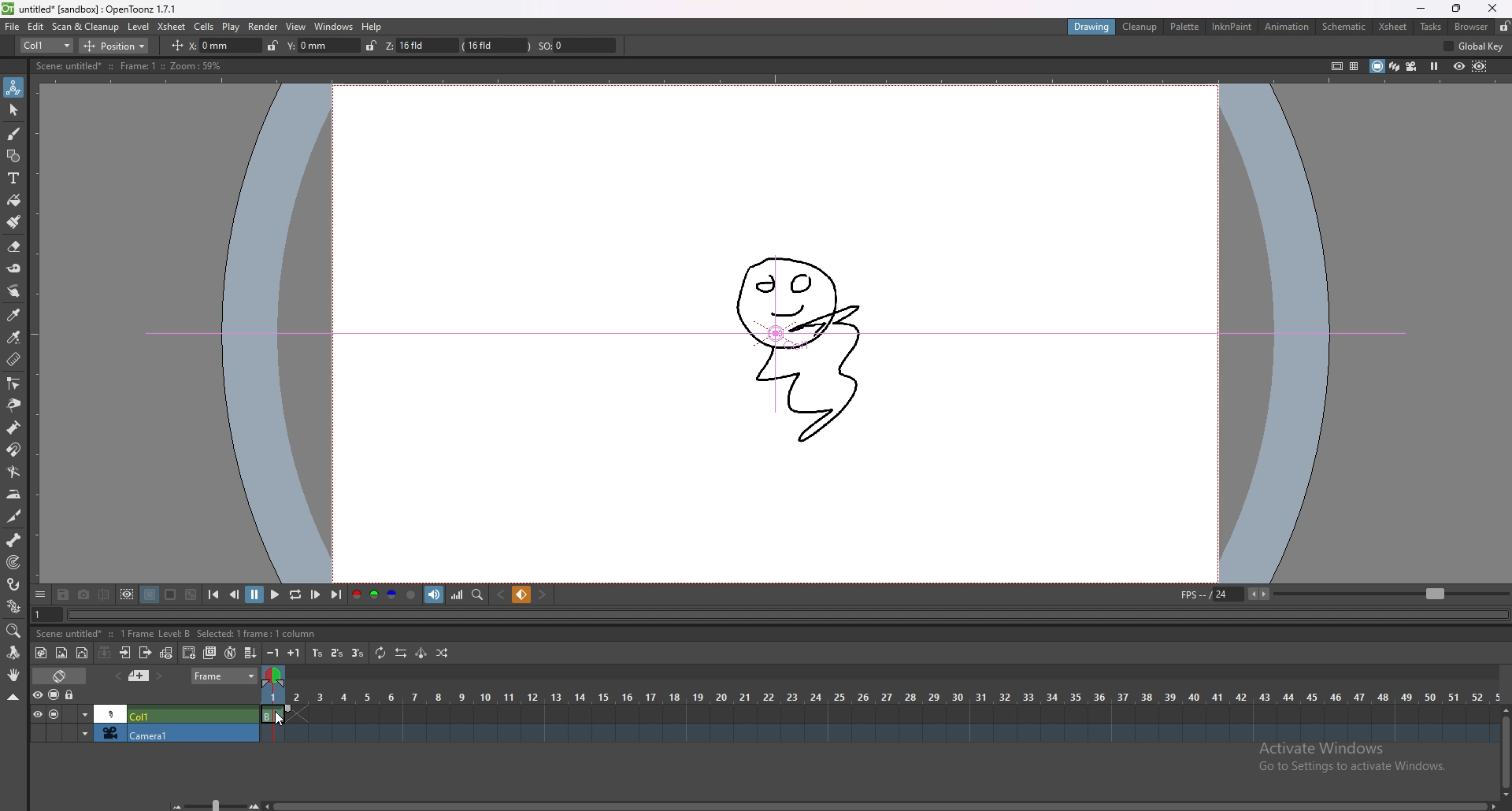 The height and width of the screenshot is (811, 1512). Describe the element at coordinates (83, 653) in the screenshot. I see `new vector level` at that location.